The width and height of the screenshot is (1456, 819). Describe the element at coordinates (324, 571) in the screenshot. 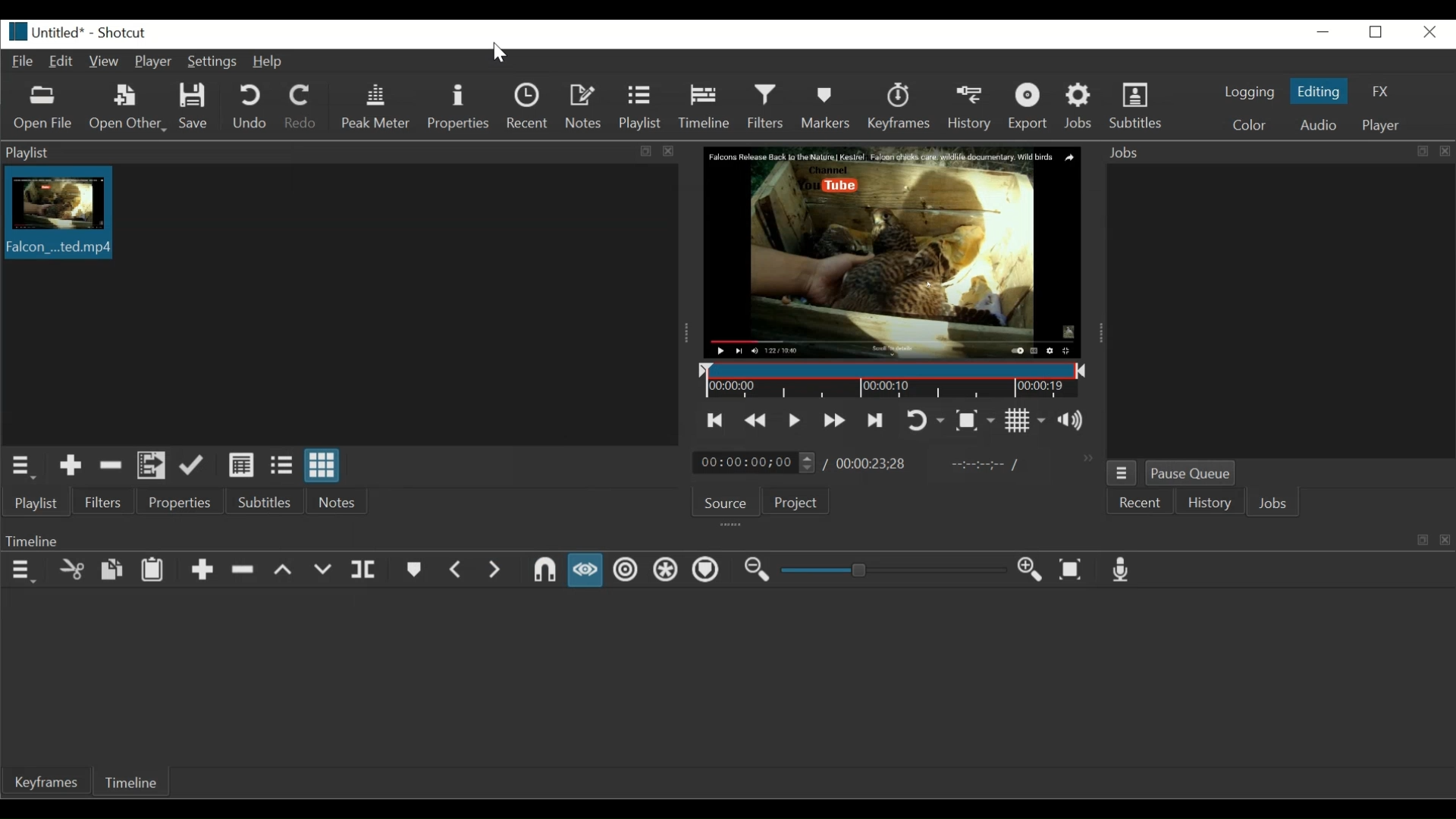

I see `Overwrite` at that location.